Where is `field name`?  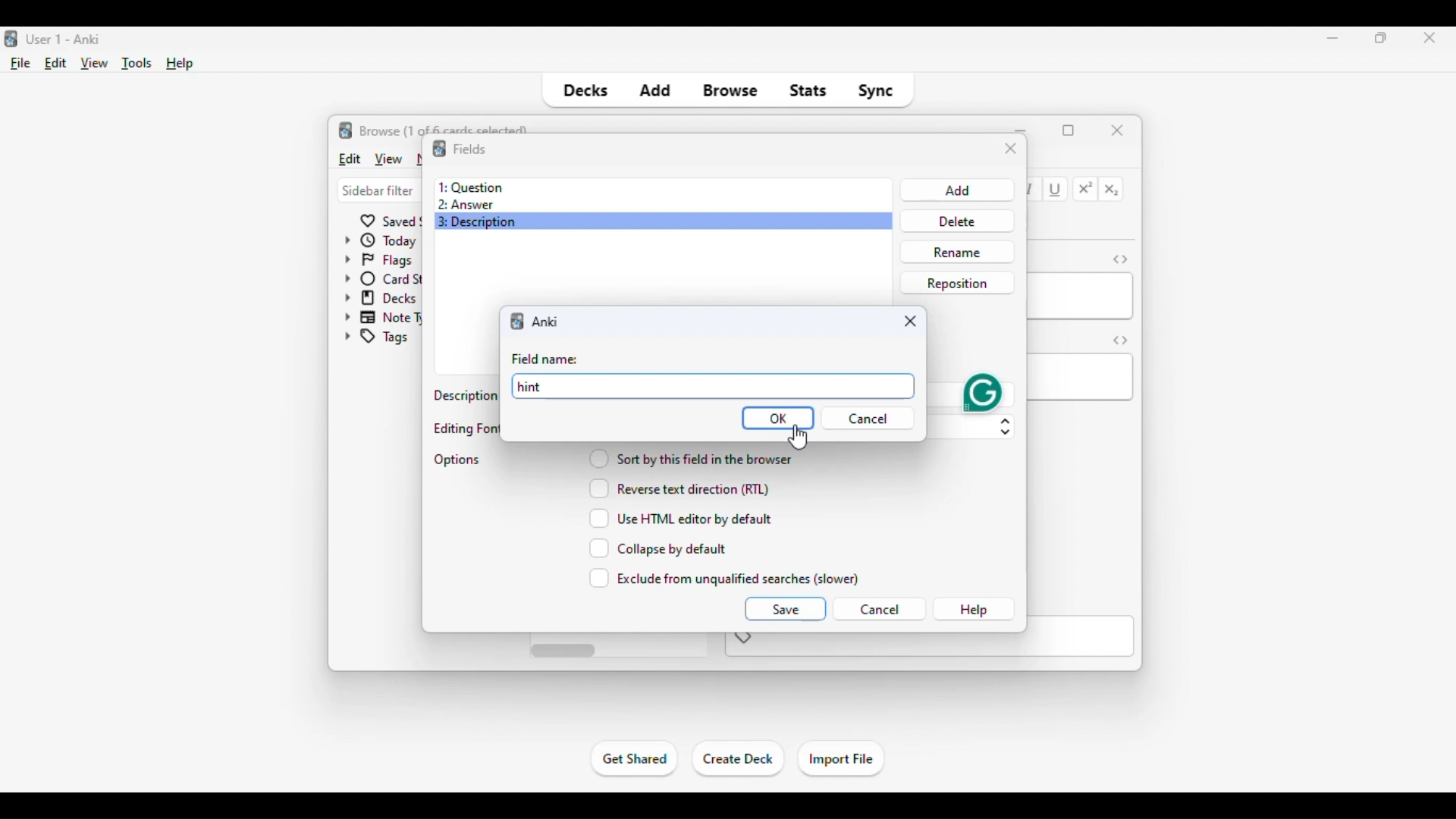 field name is located at coordinates (544, 359).